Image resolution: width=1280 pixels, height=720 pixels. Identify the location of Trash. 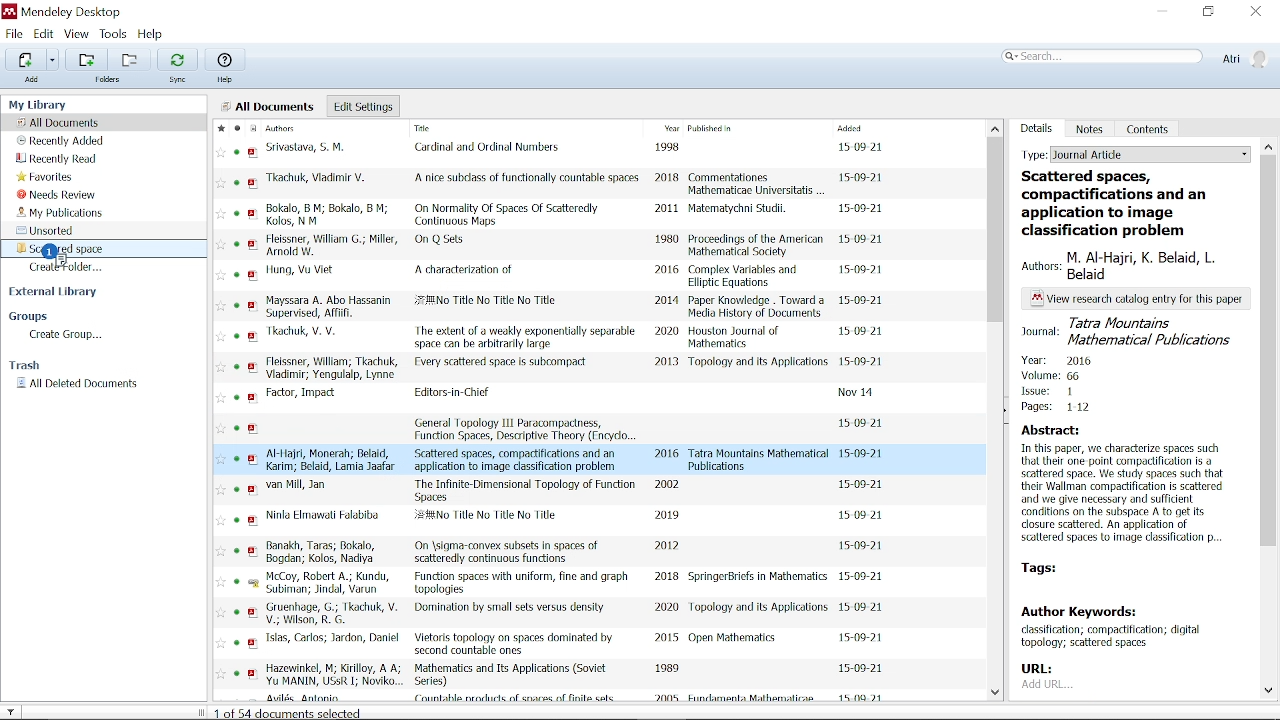
(30, 366).